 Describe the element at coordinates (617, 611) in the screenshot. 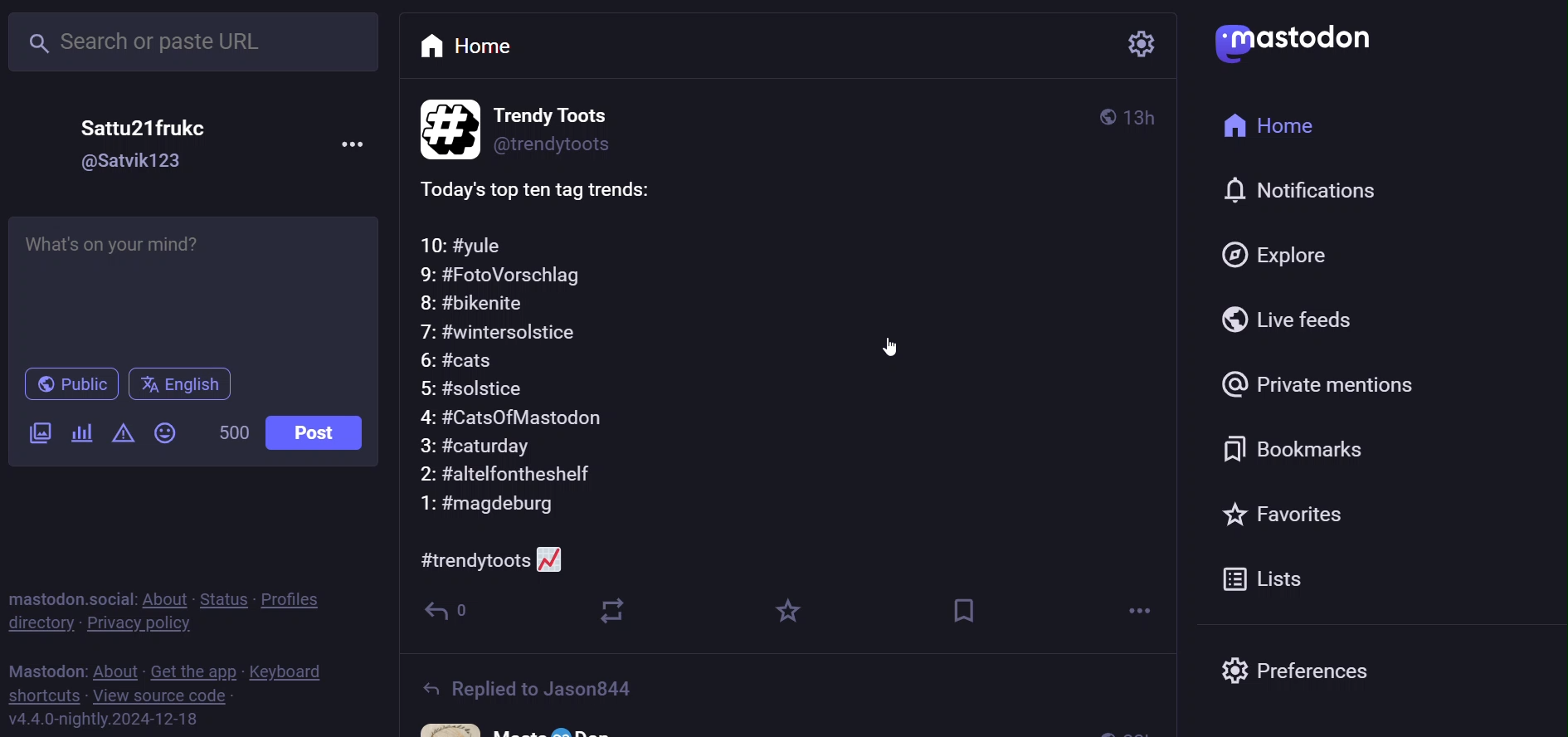

I see `boost` at that location.